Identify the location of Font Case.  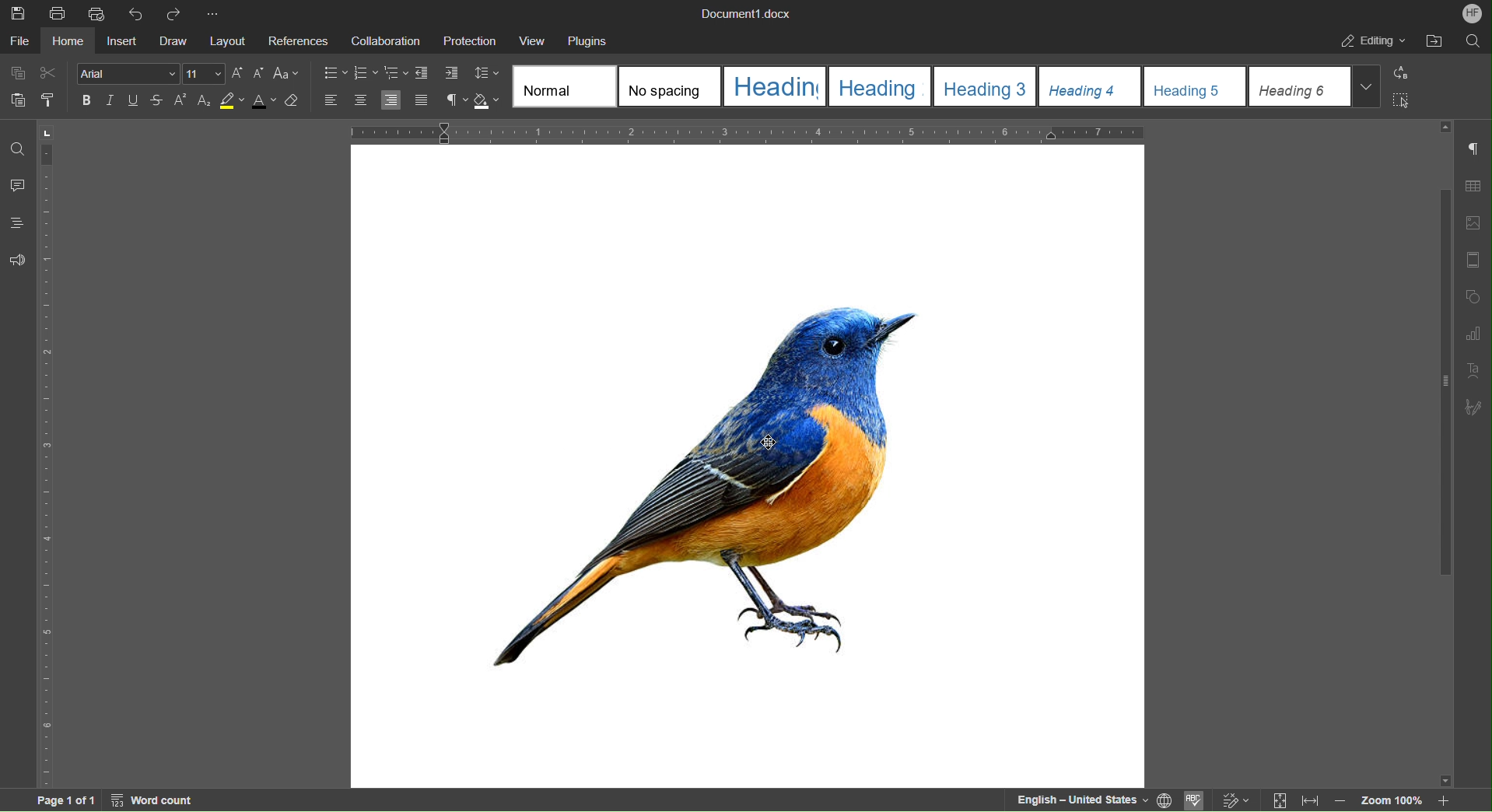
(286, 73).